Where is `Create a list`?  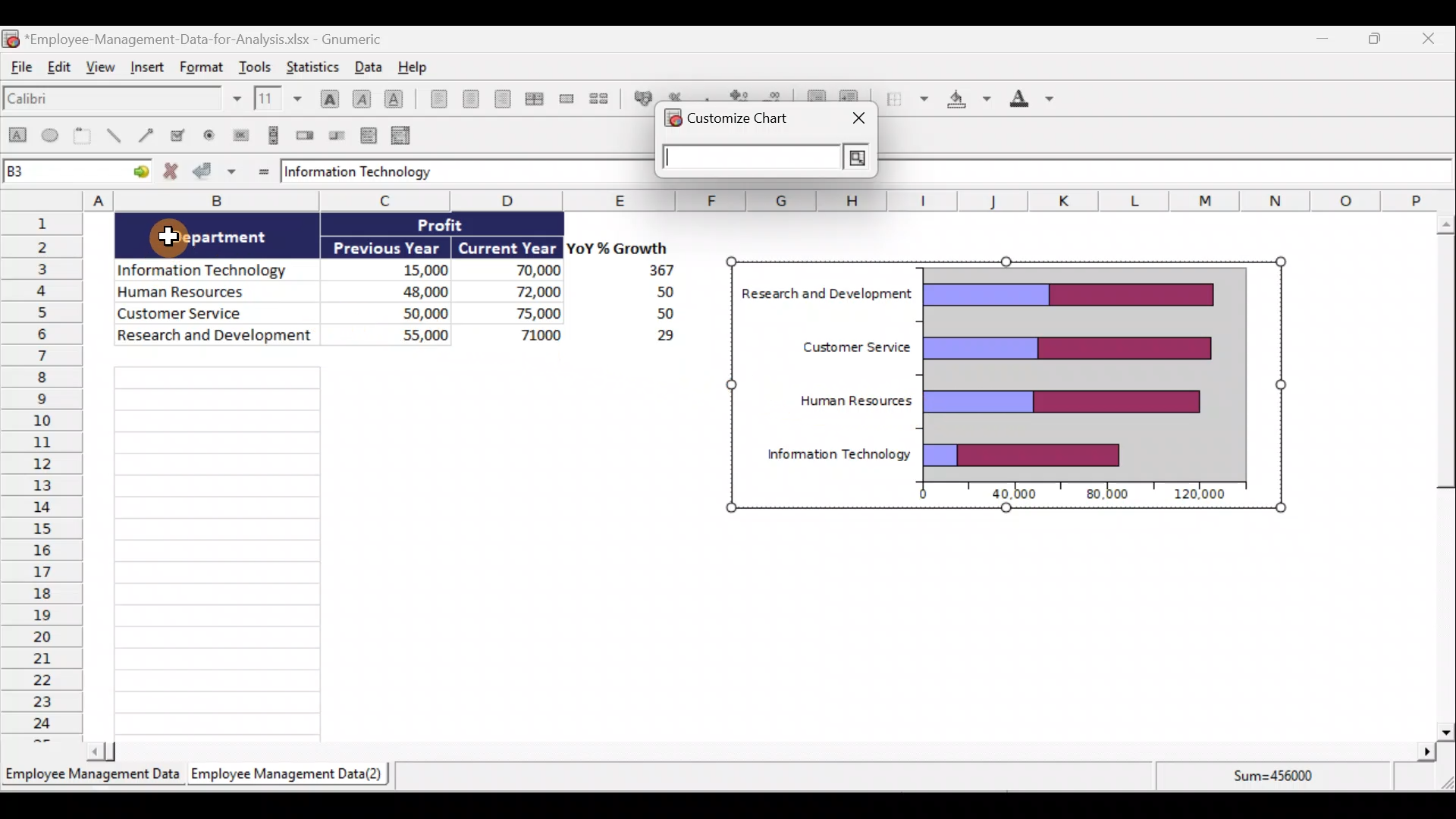 Create a list is located at coordinates (370, 132).